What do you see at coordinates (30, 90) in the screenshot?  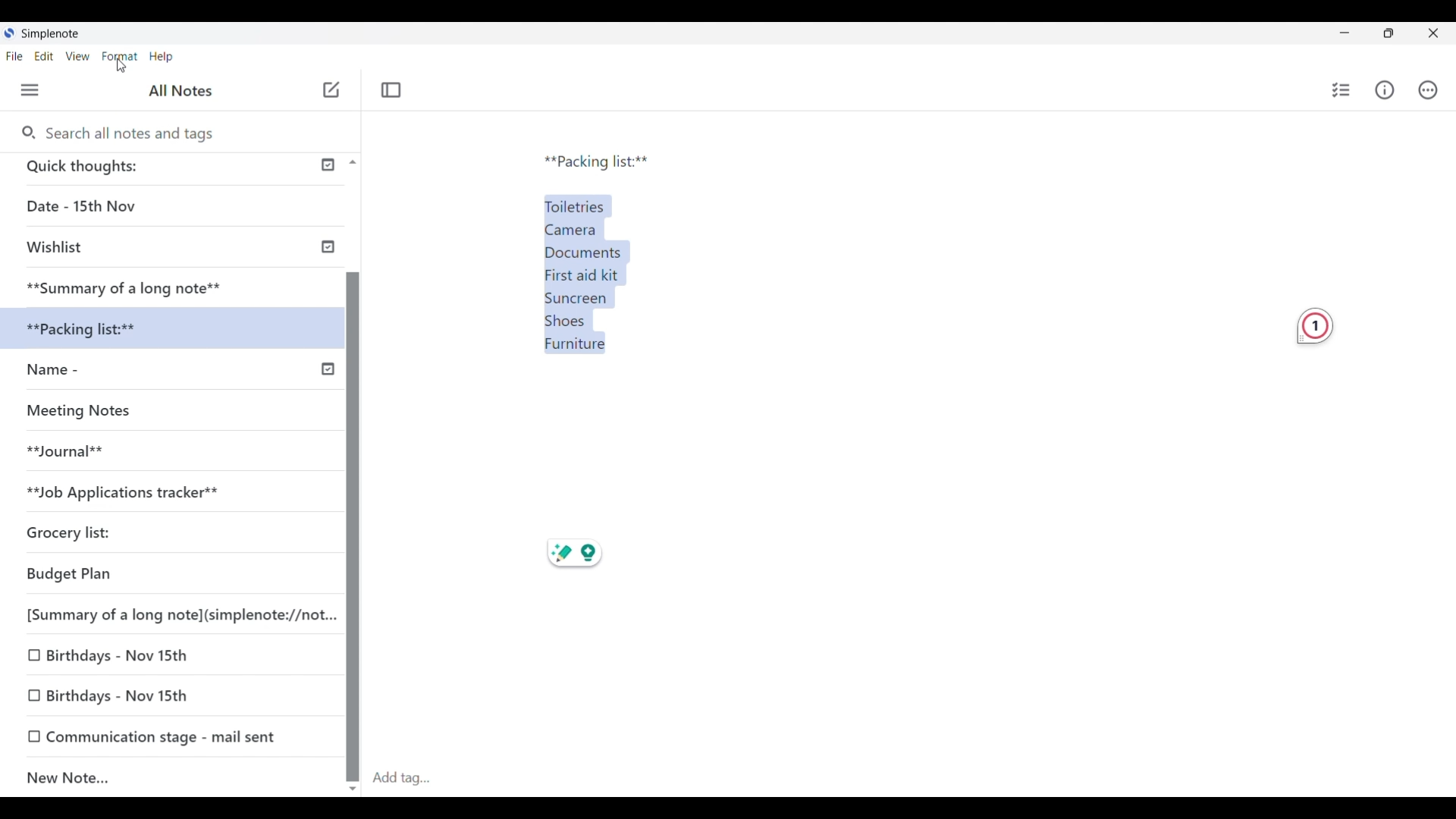 I see `Menu` at bounding box center [30, 90].